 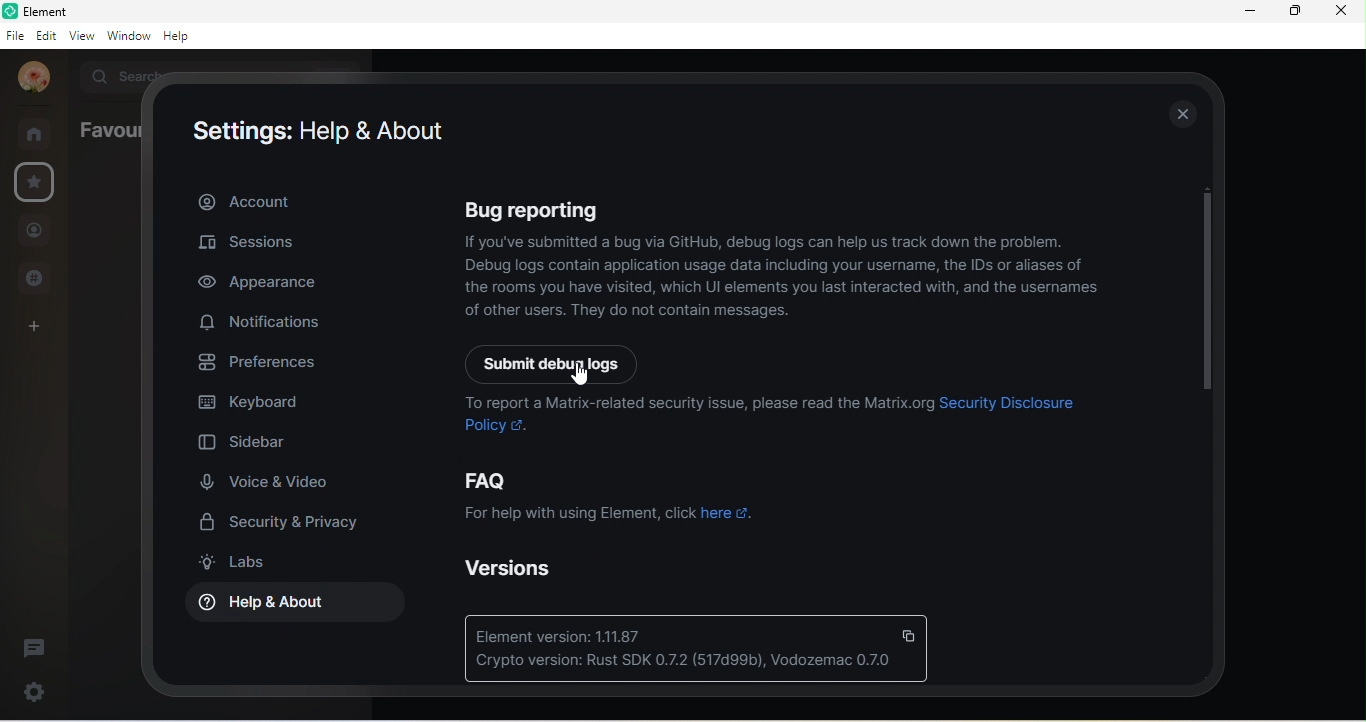 What do you see at coordinates (1184, 114) in the screenshot?
I see `close` at bounding box center [1184, 114].